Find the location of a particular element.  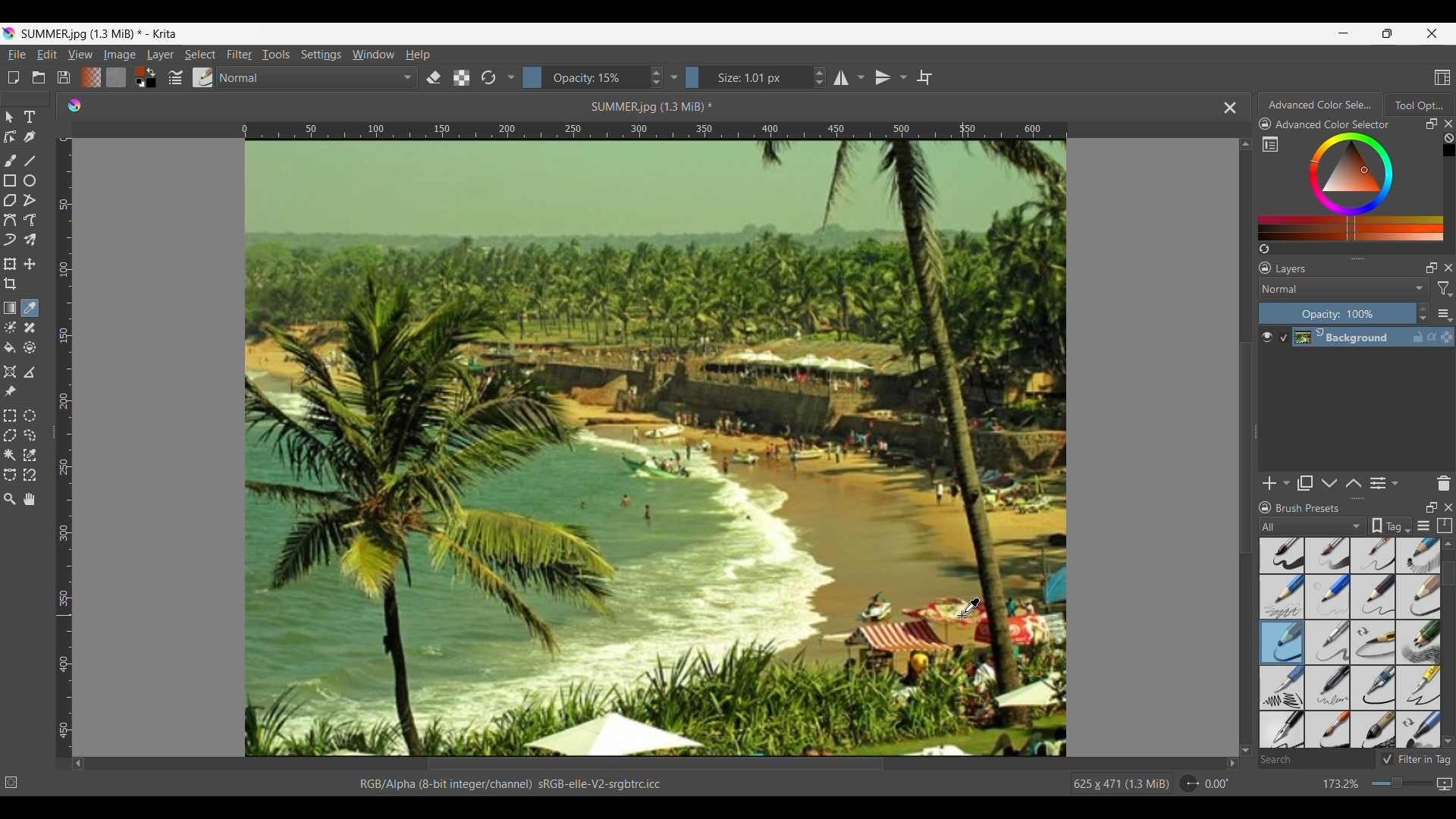

Quick slide to bottom is located at coordinates (1246, 751).